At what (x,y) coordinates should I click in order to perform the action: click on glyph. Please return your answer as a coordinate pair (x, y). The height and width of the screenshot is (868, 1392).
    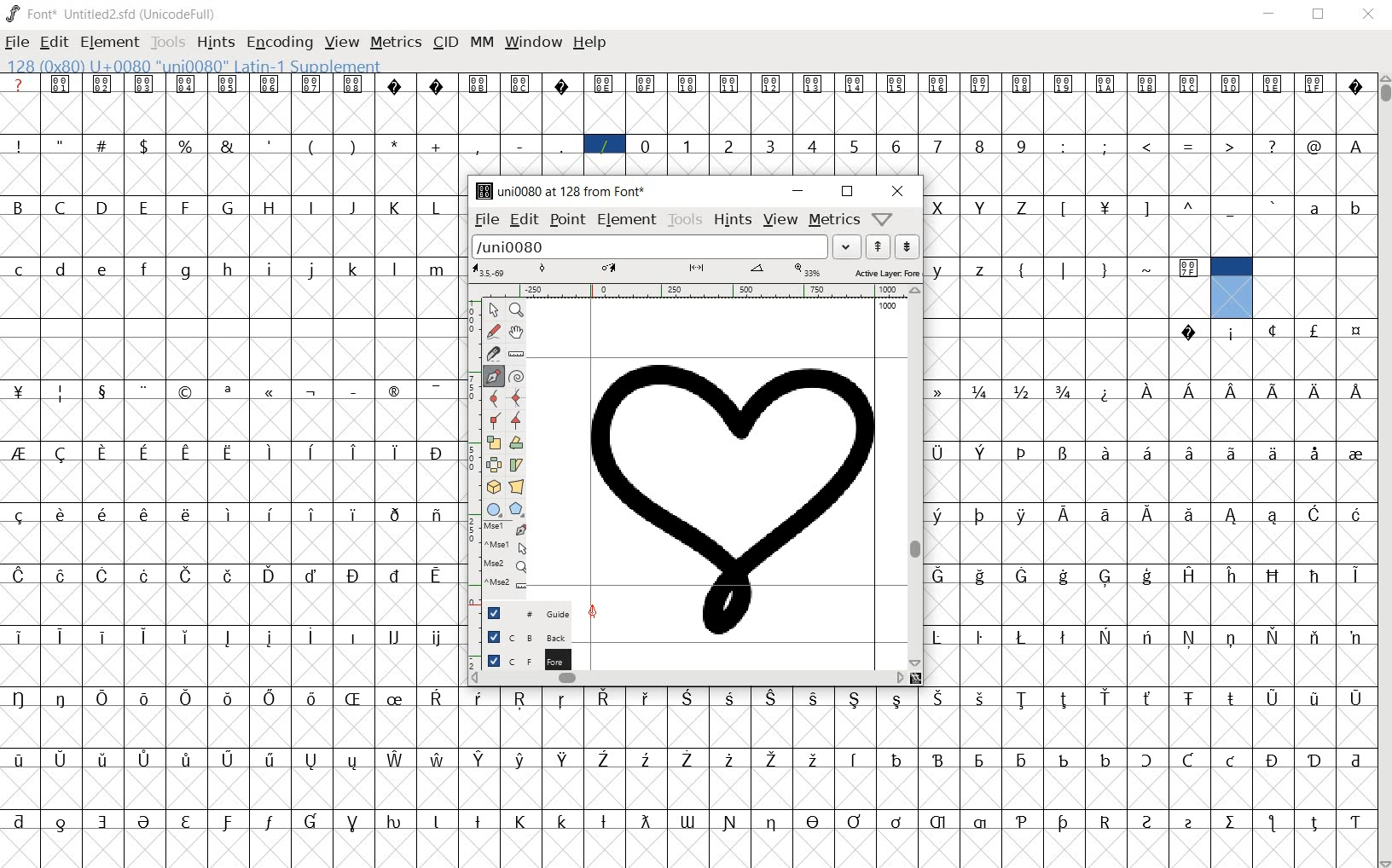
    Looking at the image, I should click on (102, 84).